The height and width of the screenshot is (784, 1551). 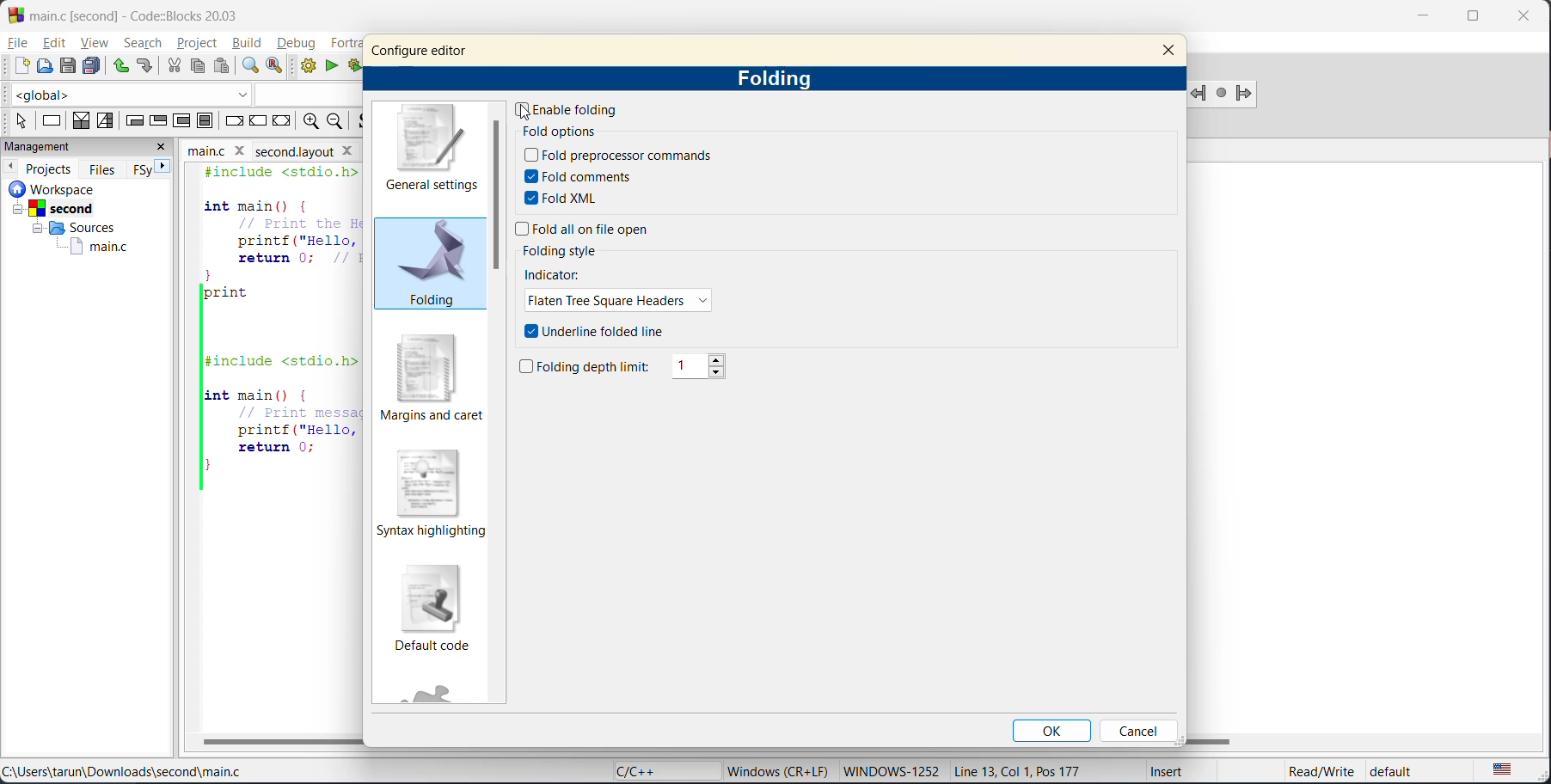 I want to click on fold all on file open, so click(x=587, y=230).